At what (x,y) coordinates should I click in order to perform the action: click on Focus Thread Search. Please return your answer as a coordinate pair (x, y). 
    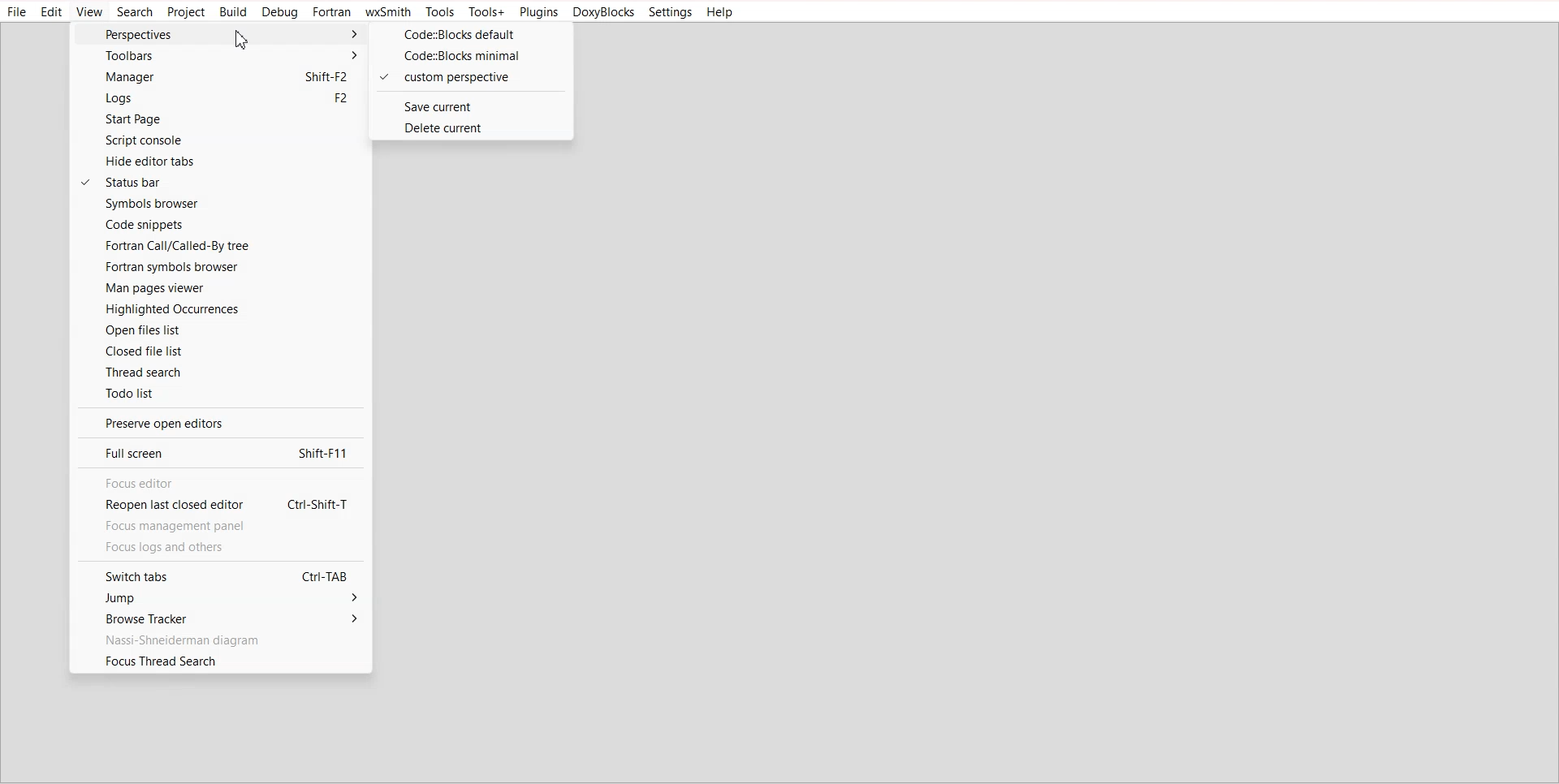
    Looking at the image, I should click on (221, 661).